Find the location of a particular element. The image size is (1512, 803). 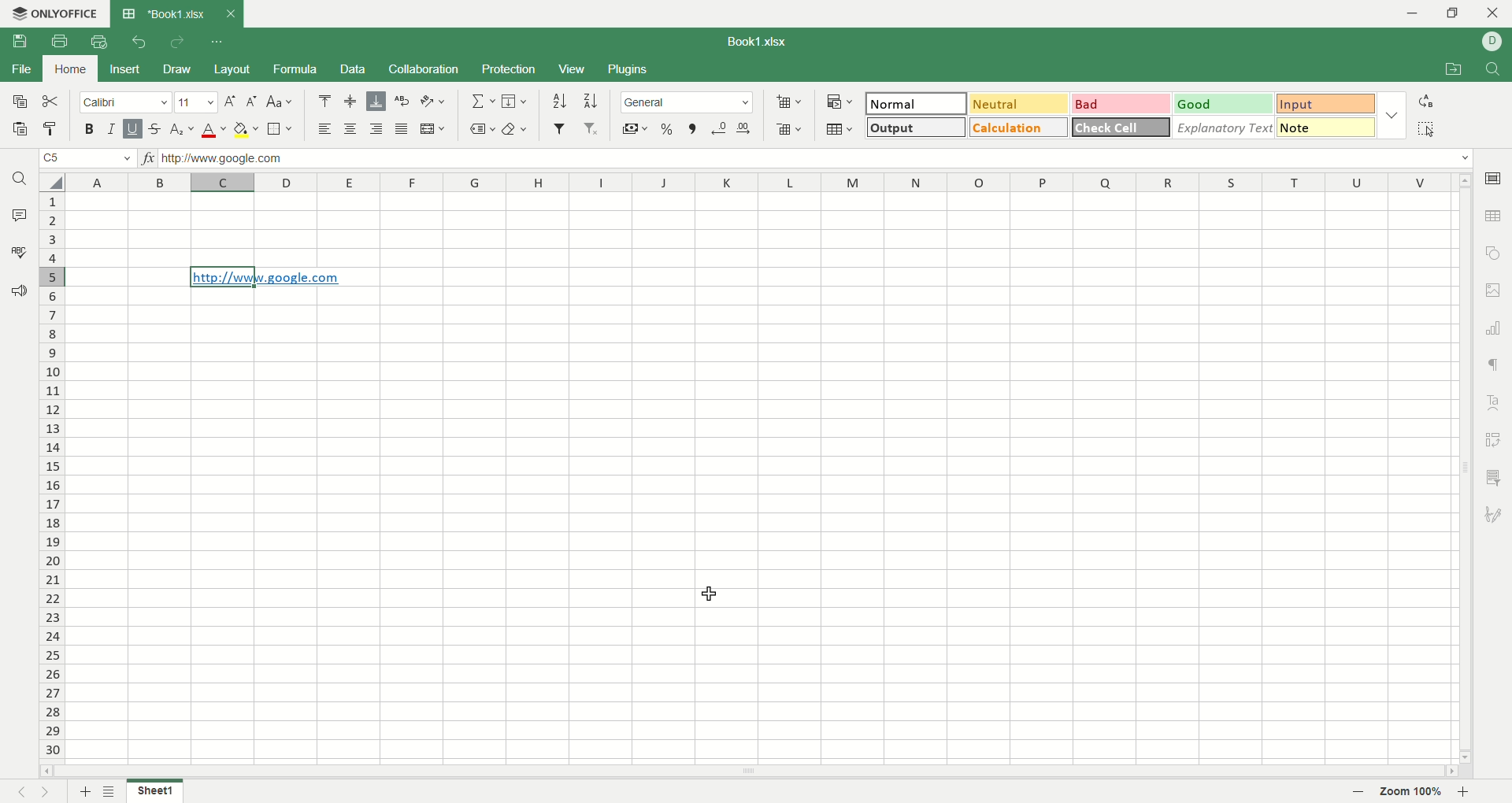

increase font size is located at coordinates (229, 104).